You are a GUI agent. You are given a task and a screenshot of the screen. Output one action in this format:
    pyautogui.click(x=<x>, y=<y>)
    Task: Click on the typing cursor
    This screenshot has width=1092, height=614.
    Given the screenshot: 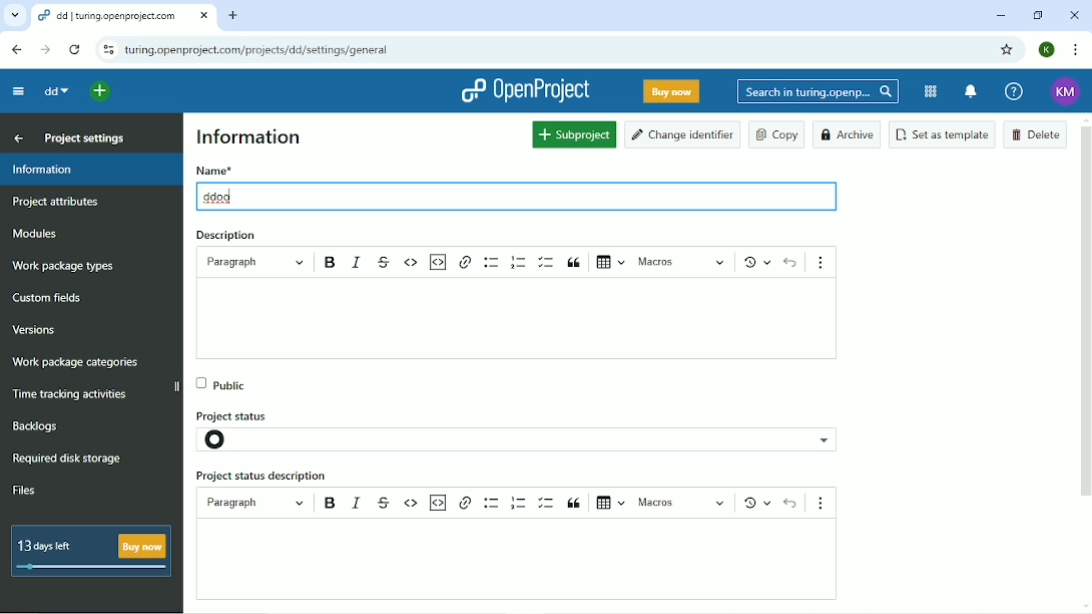 What is the action you would take?
    pyautogui.click(x=234, y=196)
    